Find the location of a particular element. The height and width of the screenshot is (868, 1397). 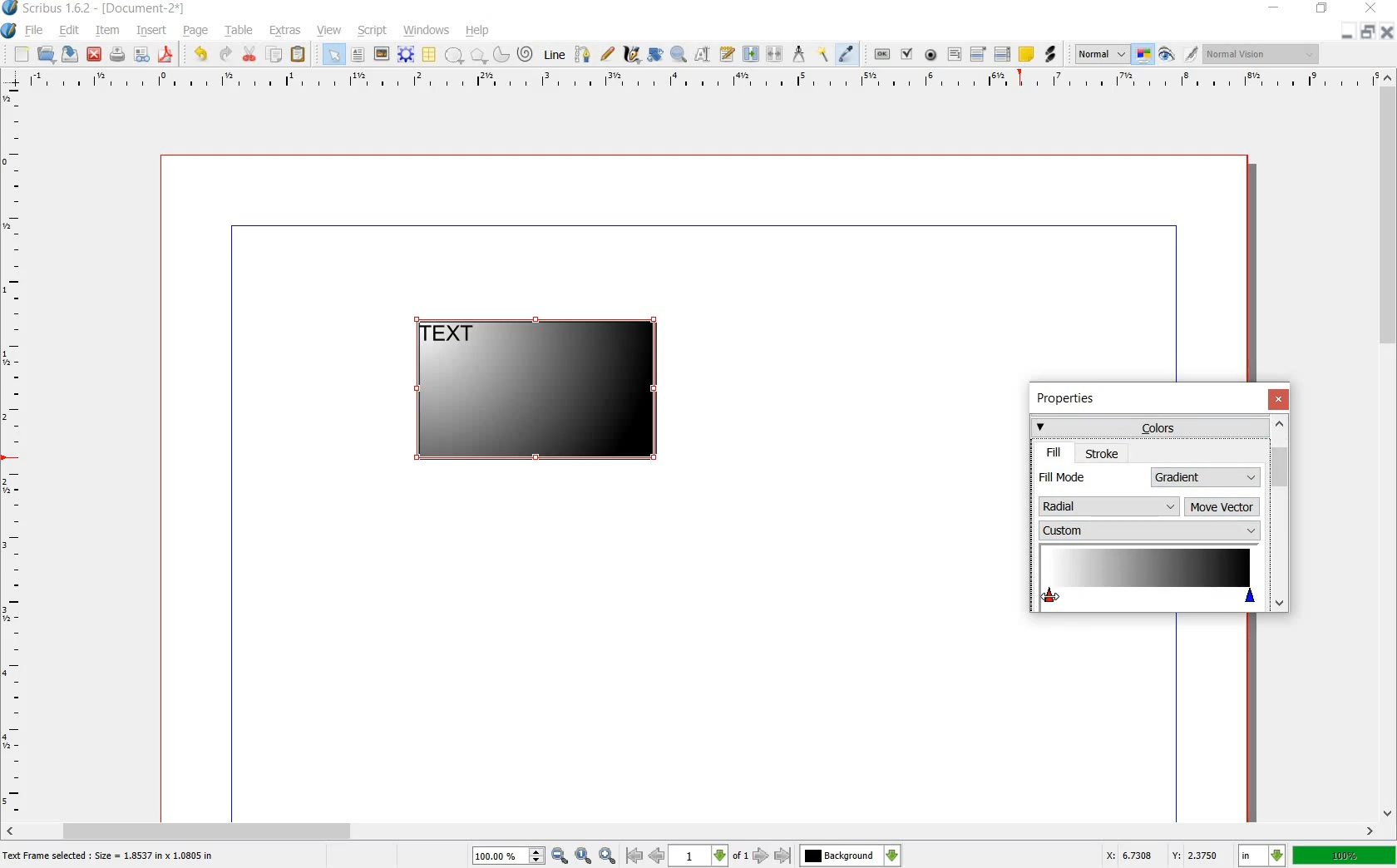

print is located at coordinates (117, 55).